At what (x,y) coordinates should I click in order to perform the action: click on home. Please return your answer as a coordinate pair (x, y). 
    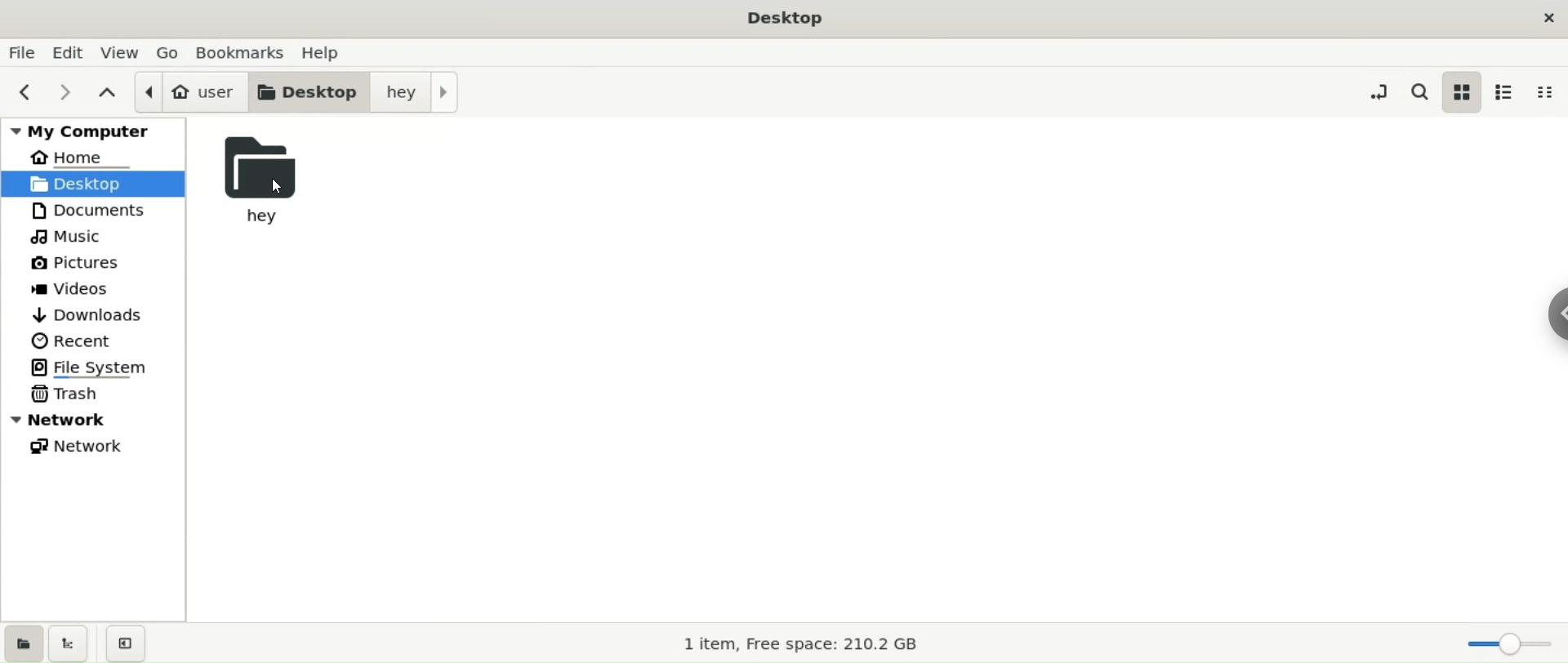
    Looking at the image, I should click on (85, 156).